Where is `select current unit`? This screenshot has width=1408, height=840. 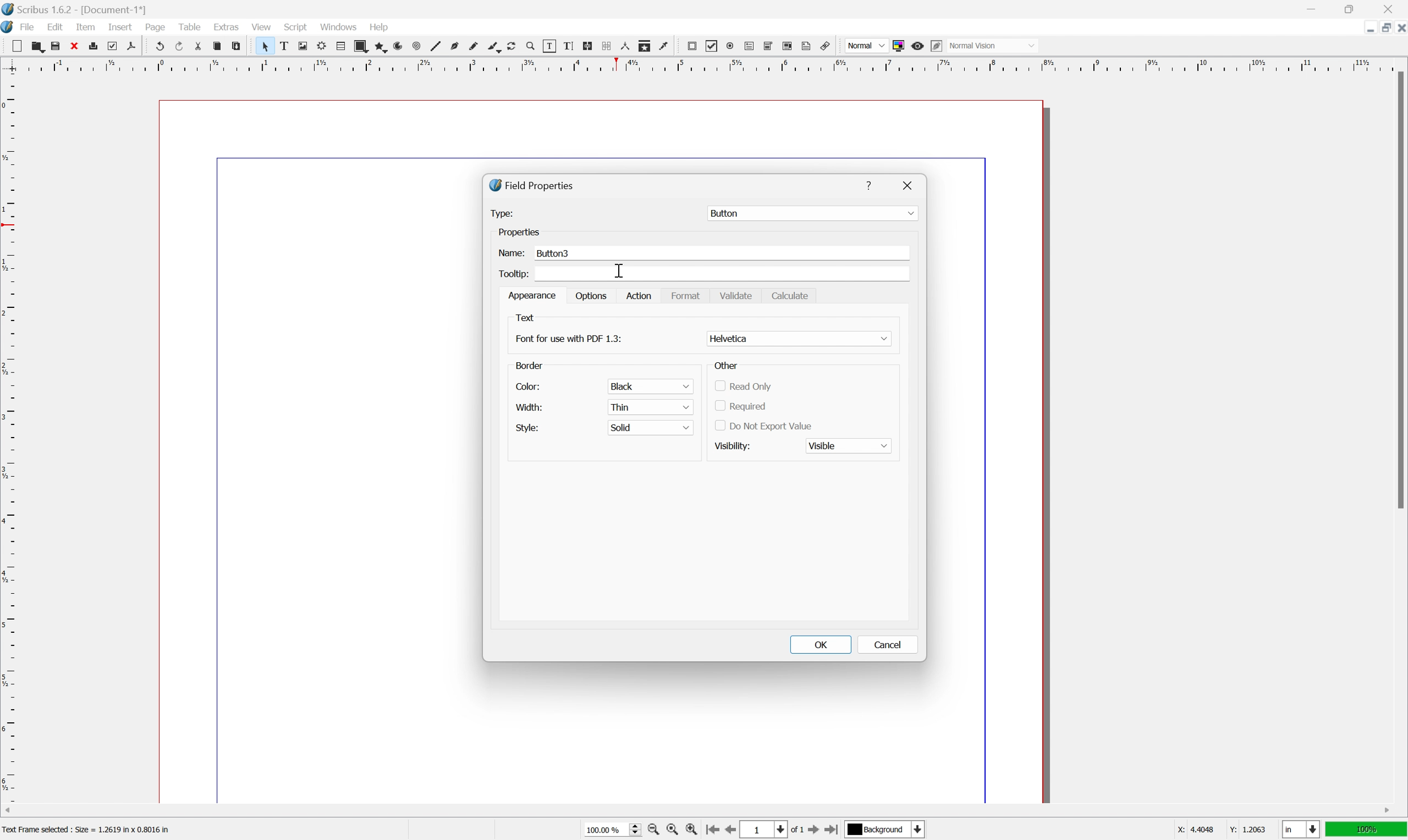 select current unit is located at coordinates (1301, 830).